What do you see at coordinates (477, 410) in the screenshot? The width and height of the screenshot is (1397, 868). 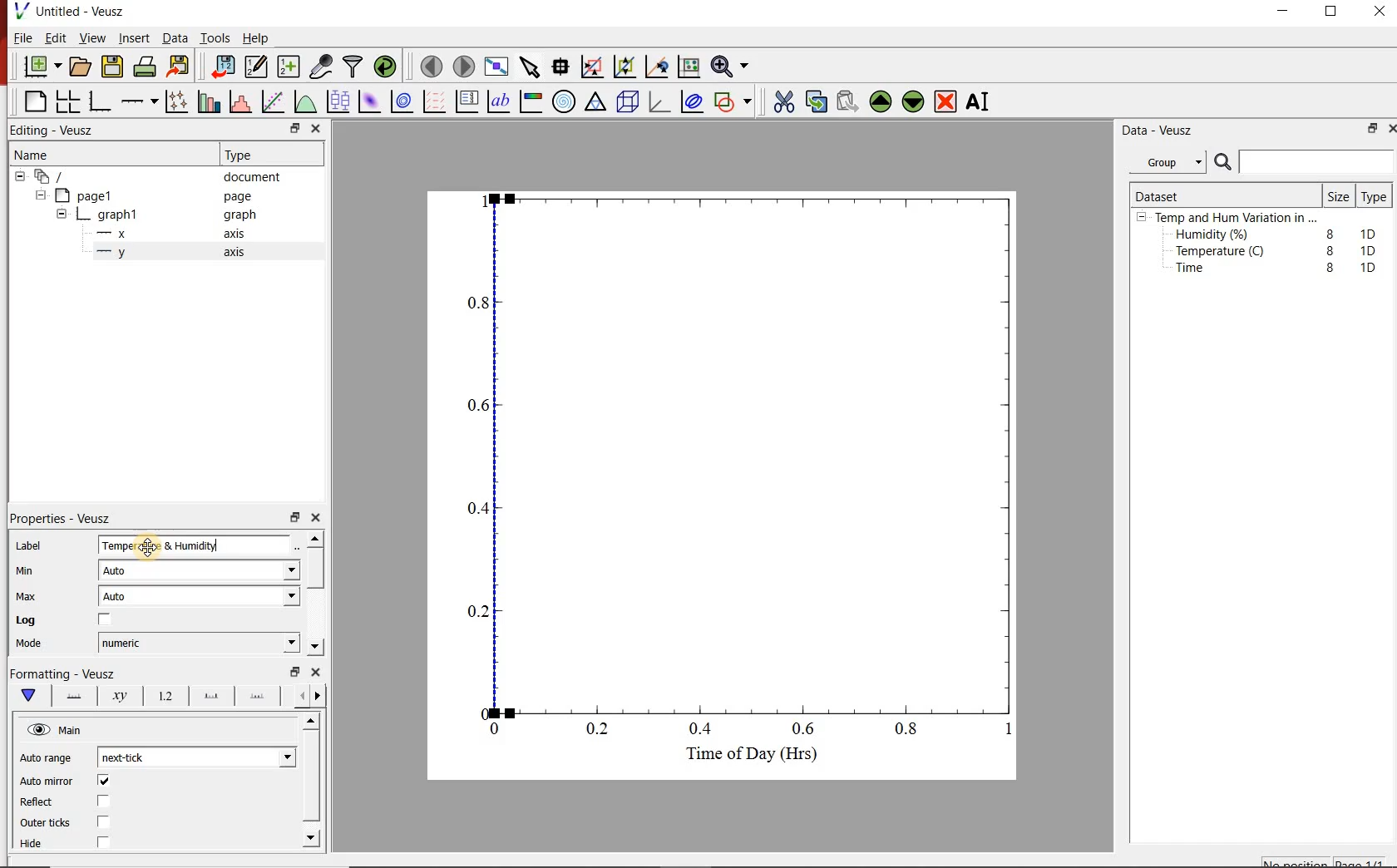 I see `0.6` at bounding box center [477, 410].